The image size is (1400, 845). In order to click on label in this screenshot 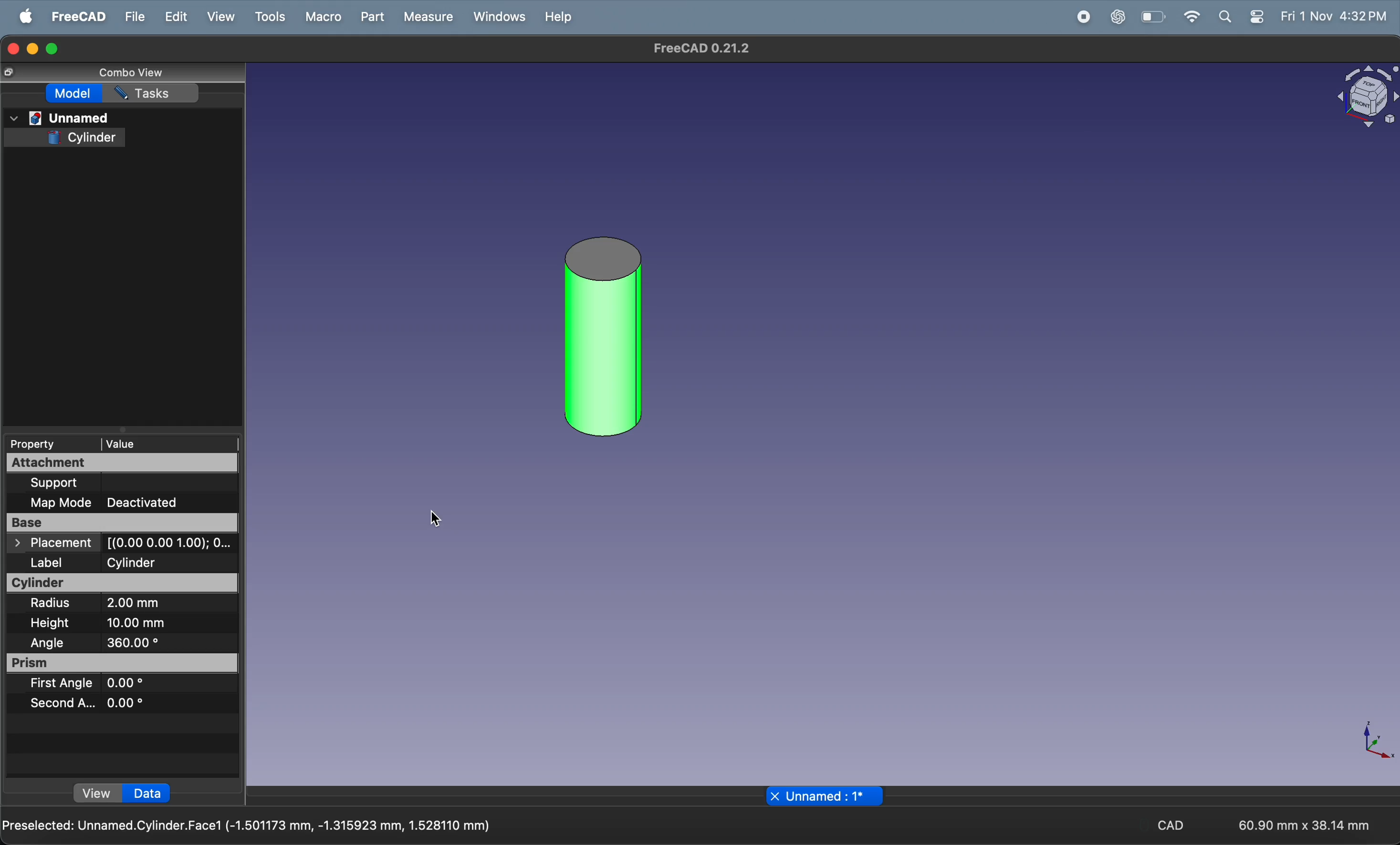, I will do `click(56, 563)`.